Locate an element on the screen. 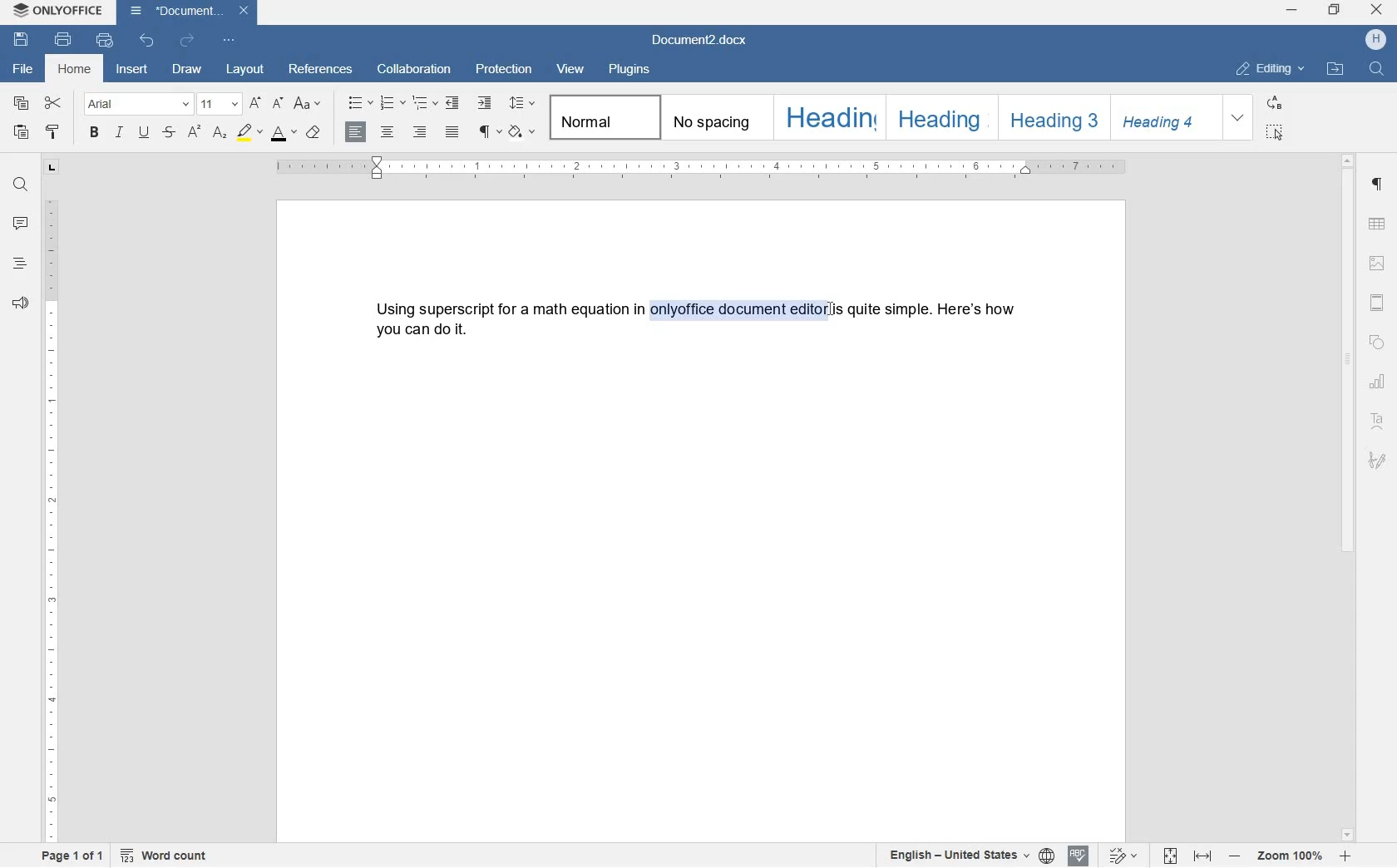 The image size is (1397, 868). customize quick access toolbar is located at coordinates (227, 40).